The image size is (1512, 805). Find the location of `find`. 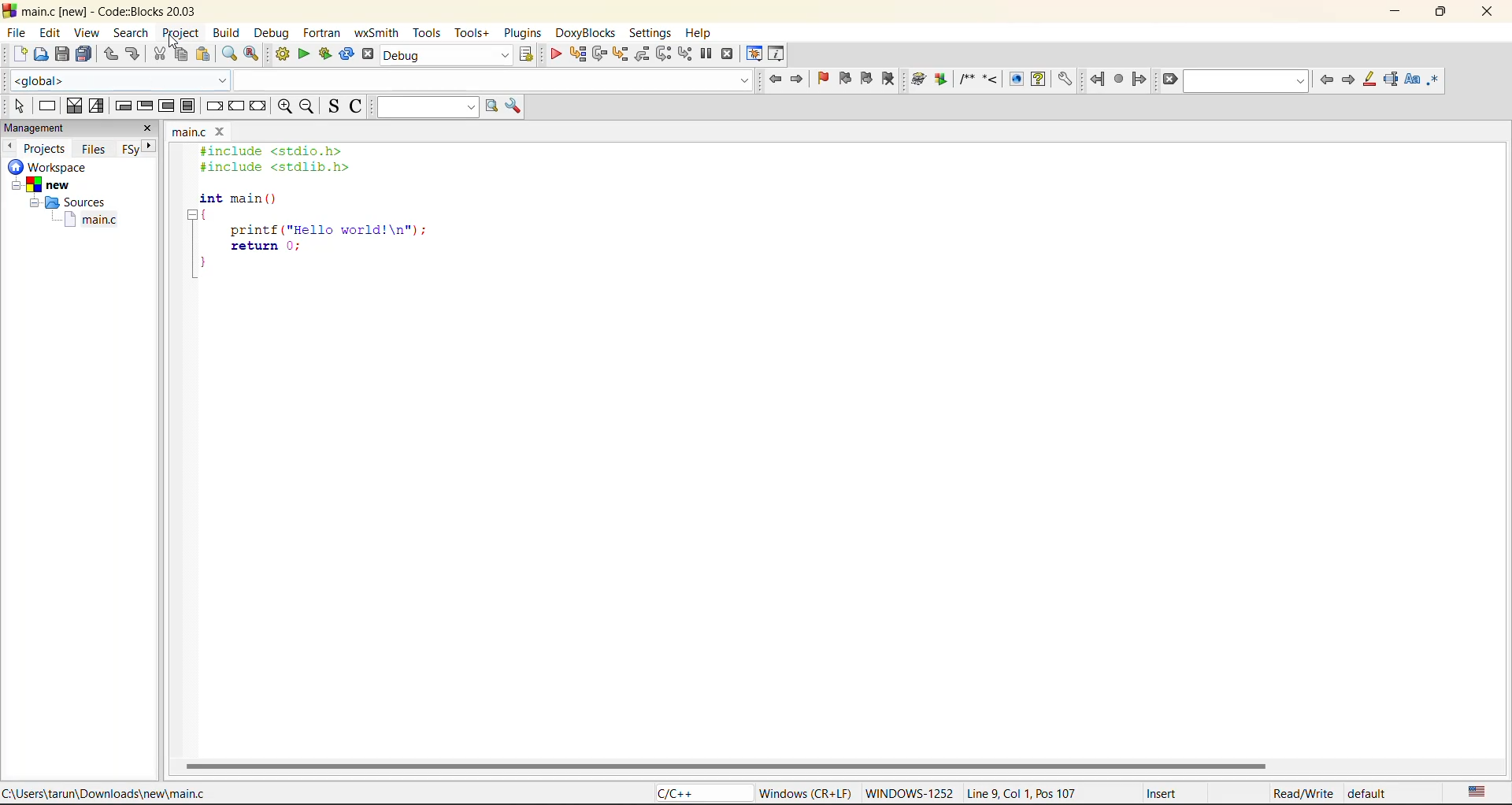

find is located at coordinates (228, 53).